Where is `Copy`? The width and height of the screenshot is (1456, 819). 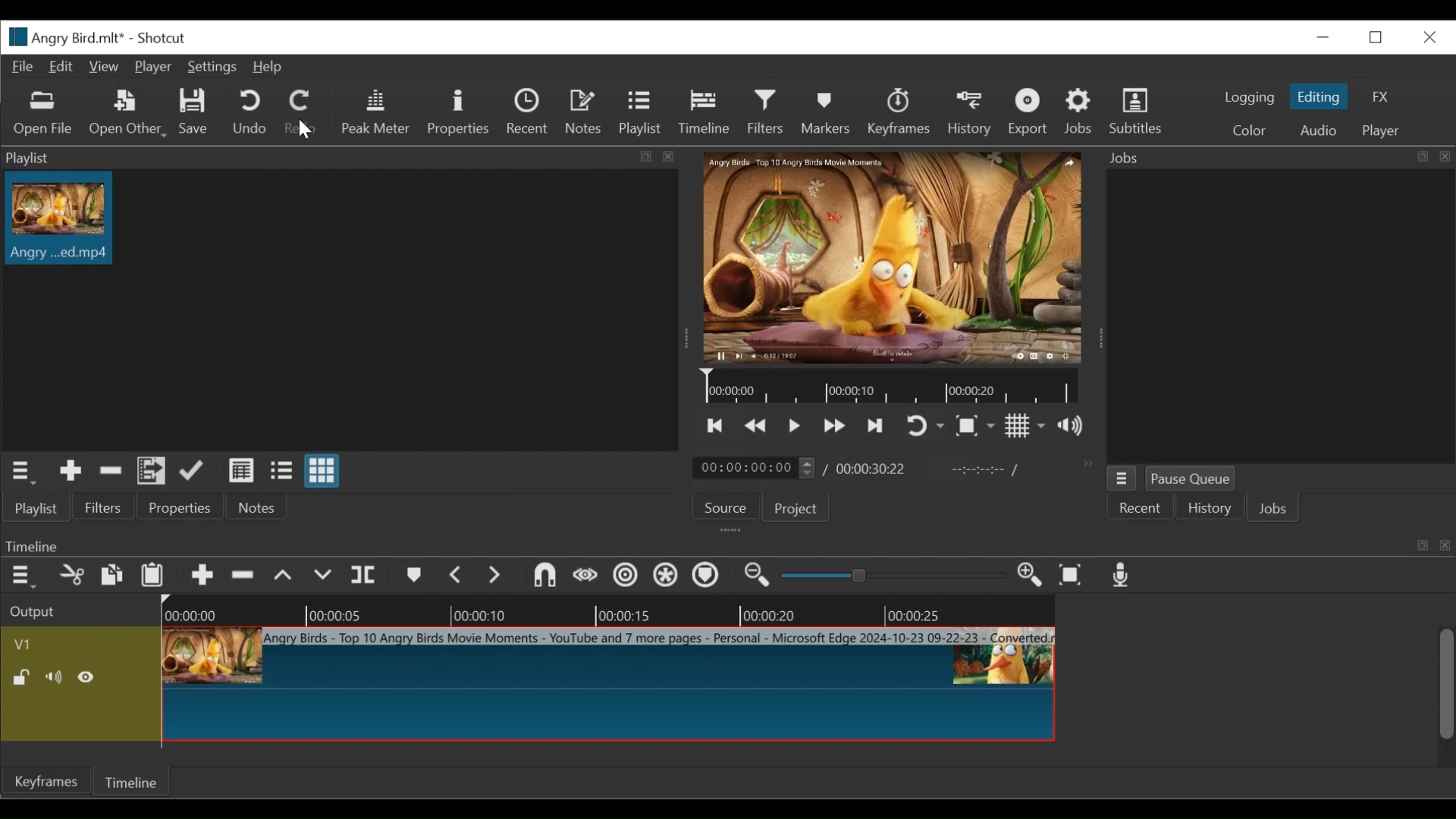
Copy is located at coordinates (111, 576).